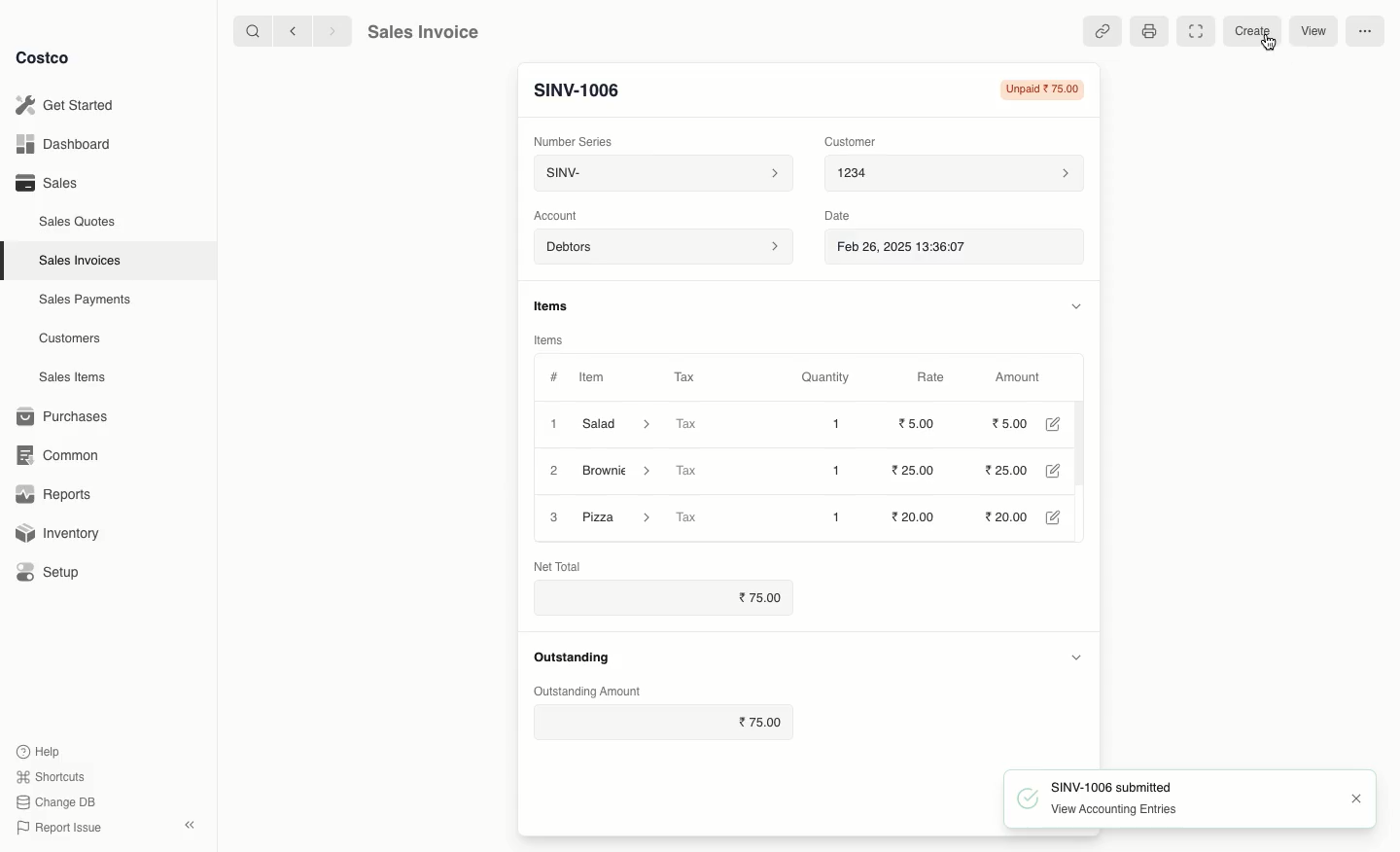 The image size is (1400, 852). I want to click on Tax, so click(713, 470).